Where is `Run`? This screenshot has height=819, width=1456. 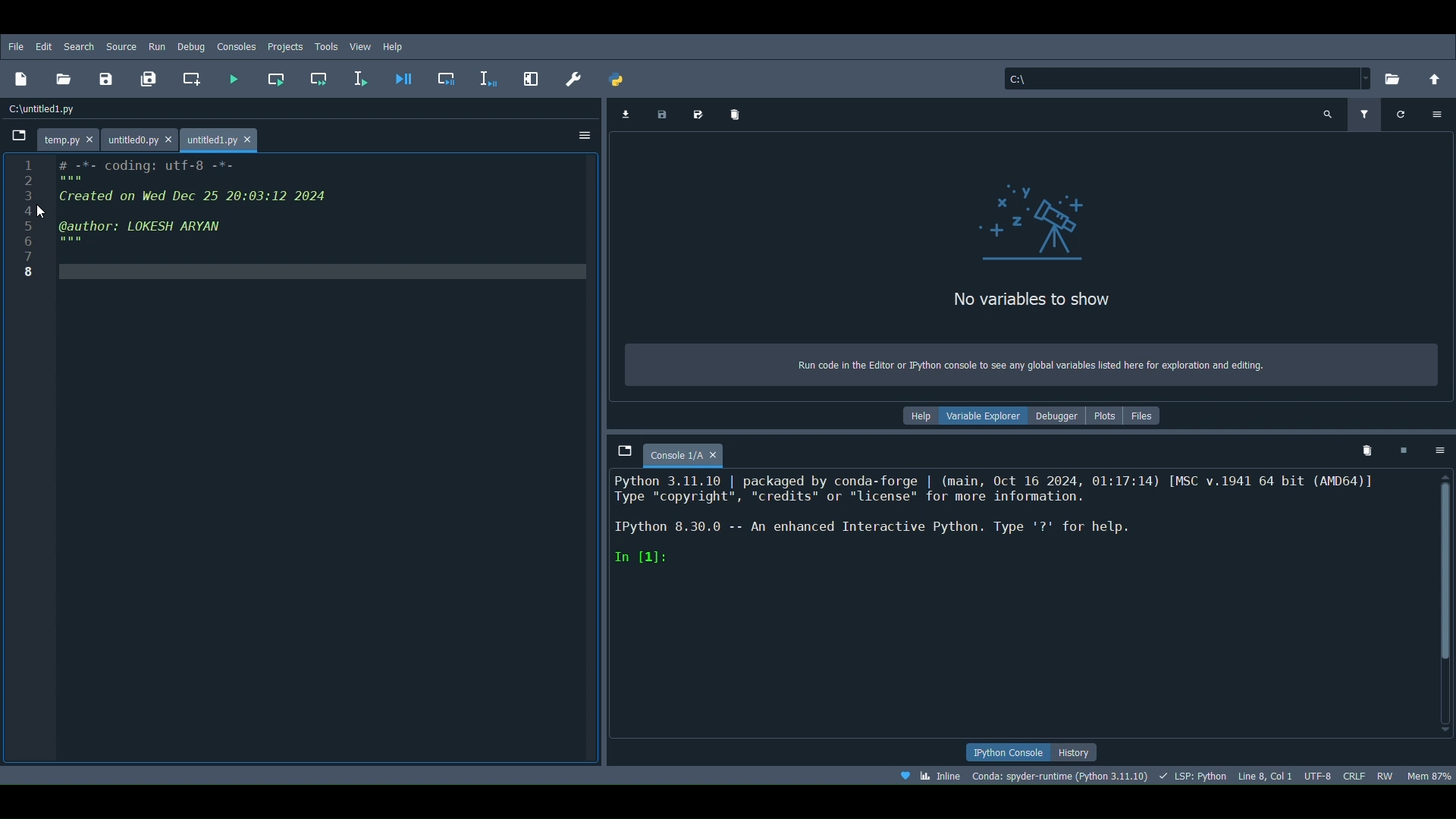
Run is located at coordinates (155, 45).